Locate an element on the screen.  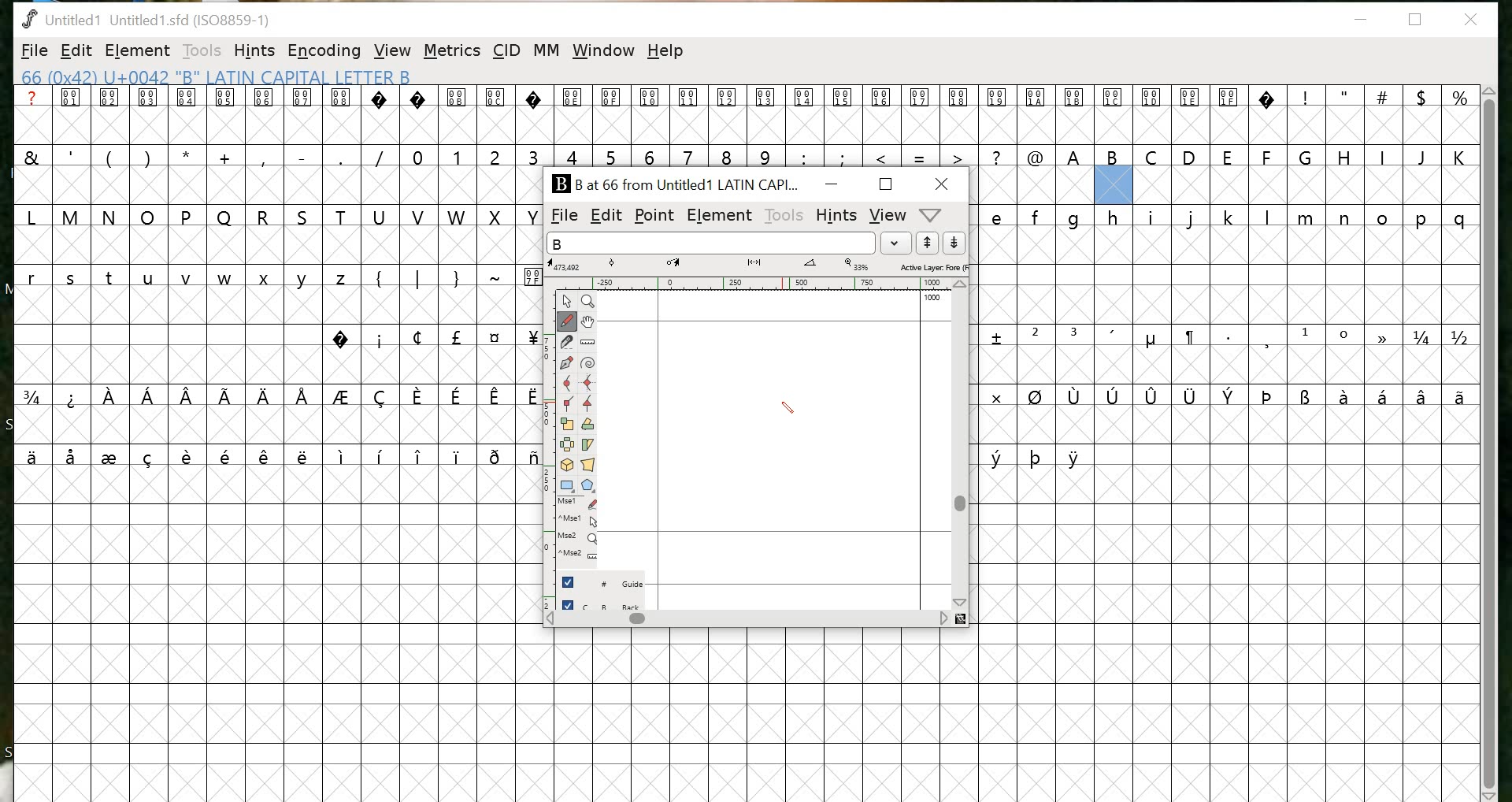
Mouse left button is located at coordinates (580, 504).